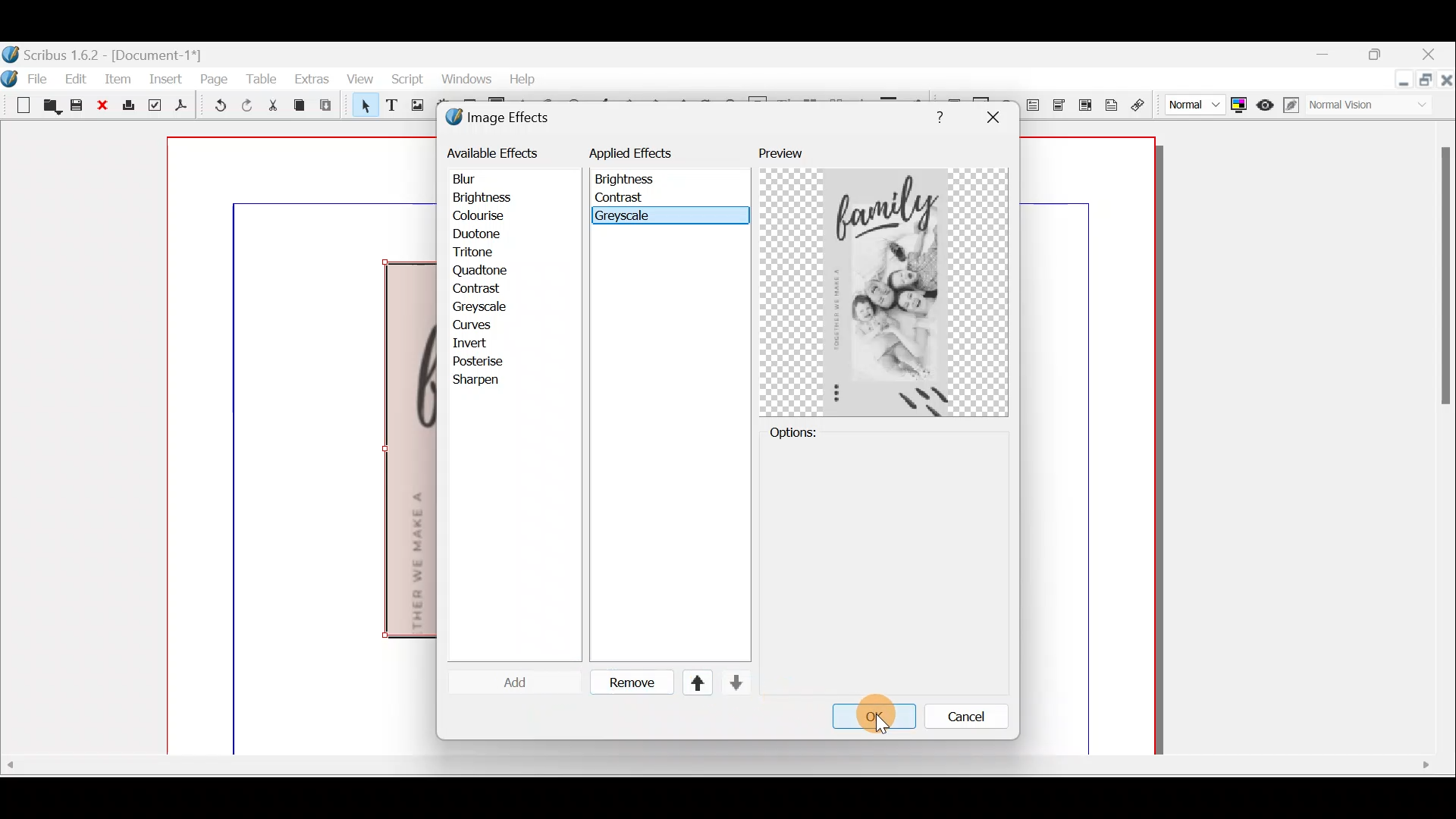  What do you see at coordinates (626, 178) in the screenshot?
I see `Brightness` at bounding box center [626, 178].